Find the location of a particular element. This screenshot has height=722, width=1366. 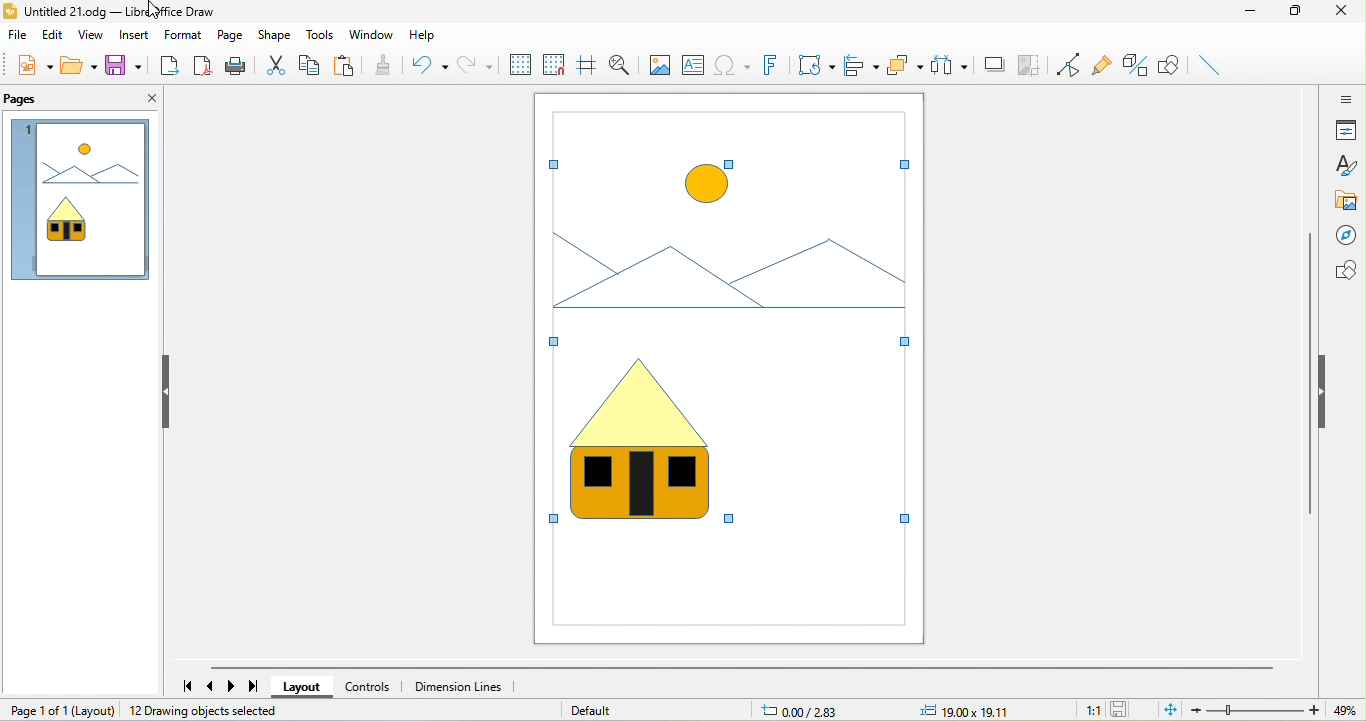

save is located at coordinates (121, 64).